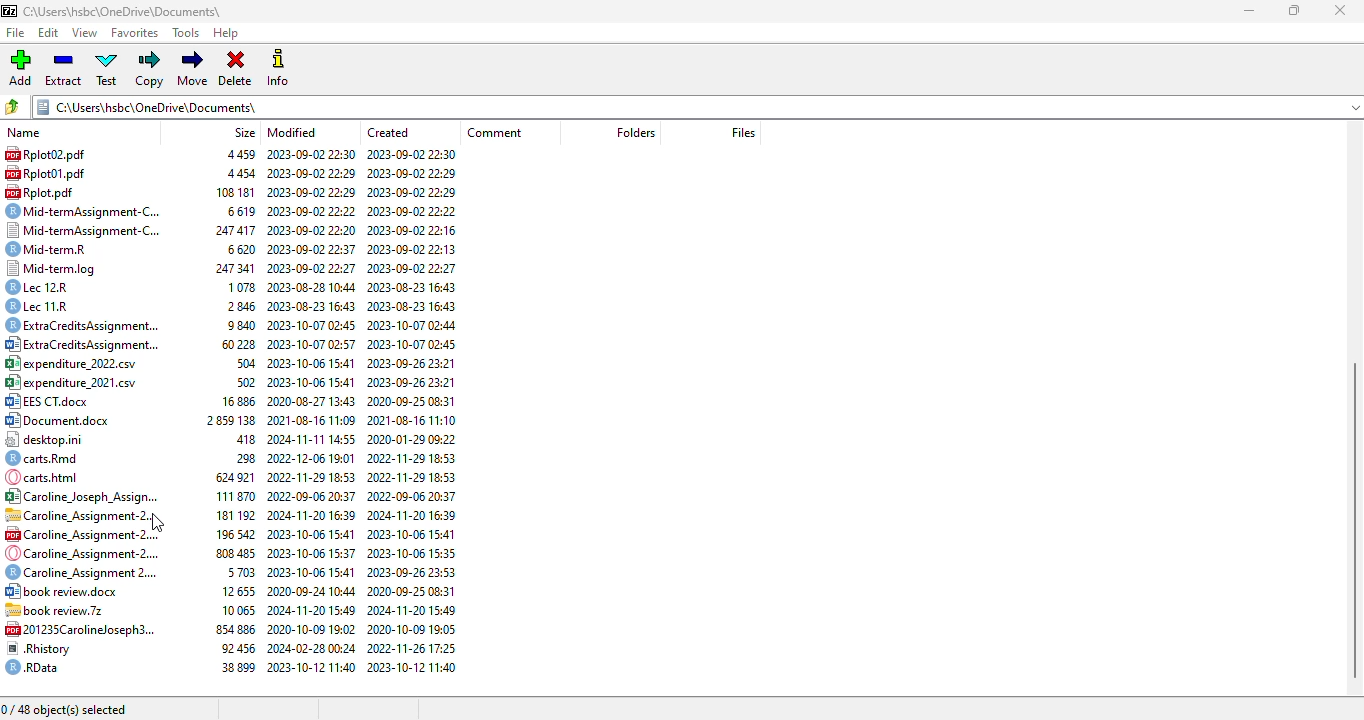  Describe the element at coordinates (414, 229) in the screenshot. I see `2023-09-02 22:16` at that location.